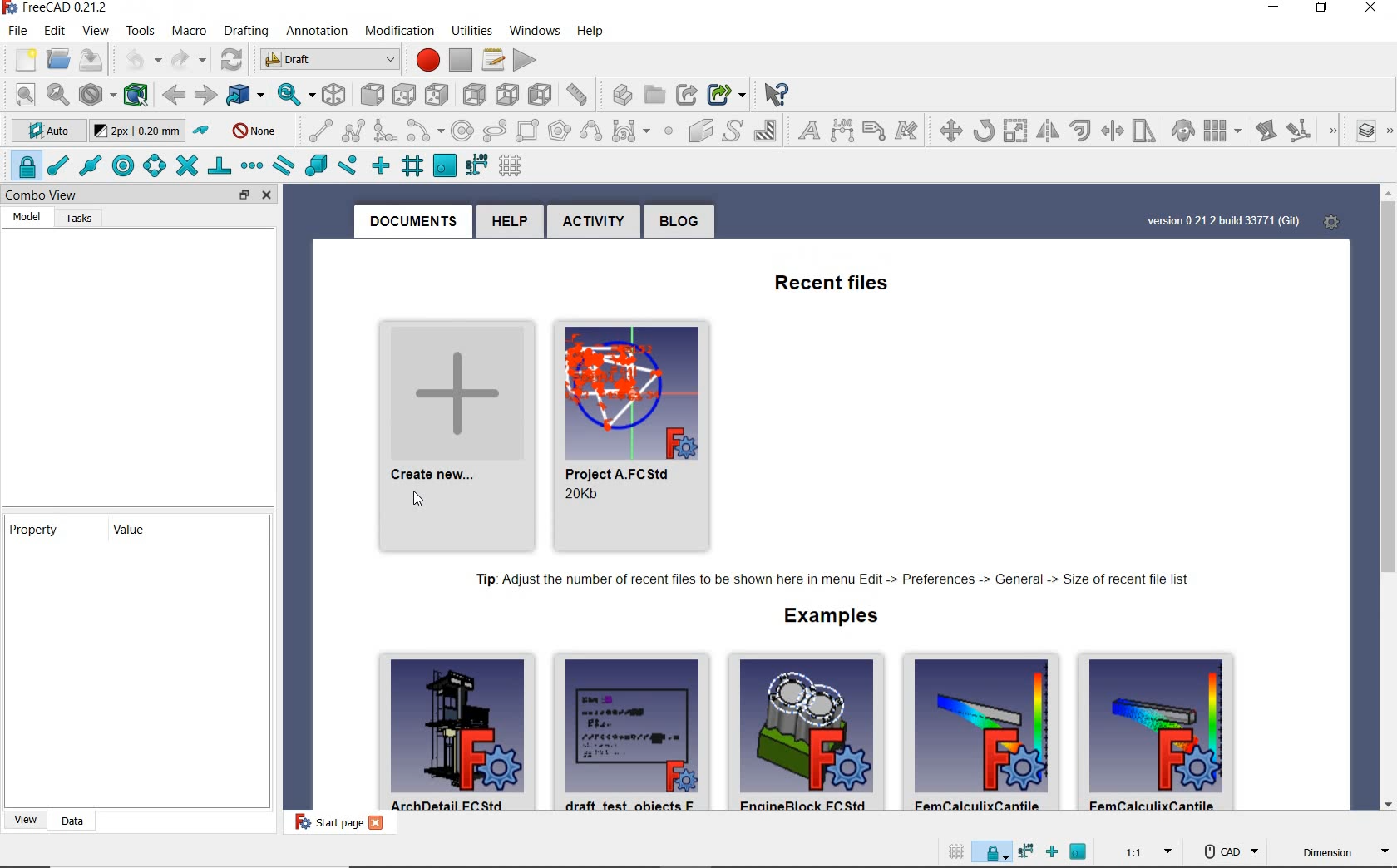  What do you see at coordinates (327, 94) in the screenshot?
I see `isometric` at bounding box center [327, 94].